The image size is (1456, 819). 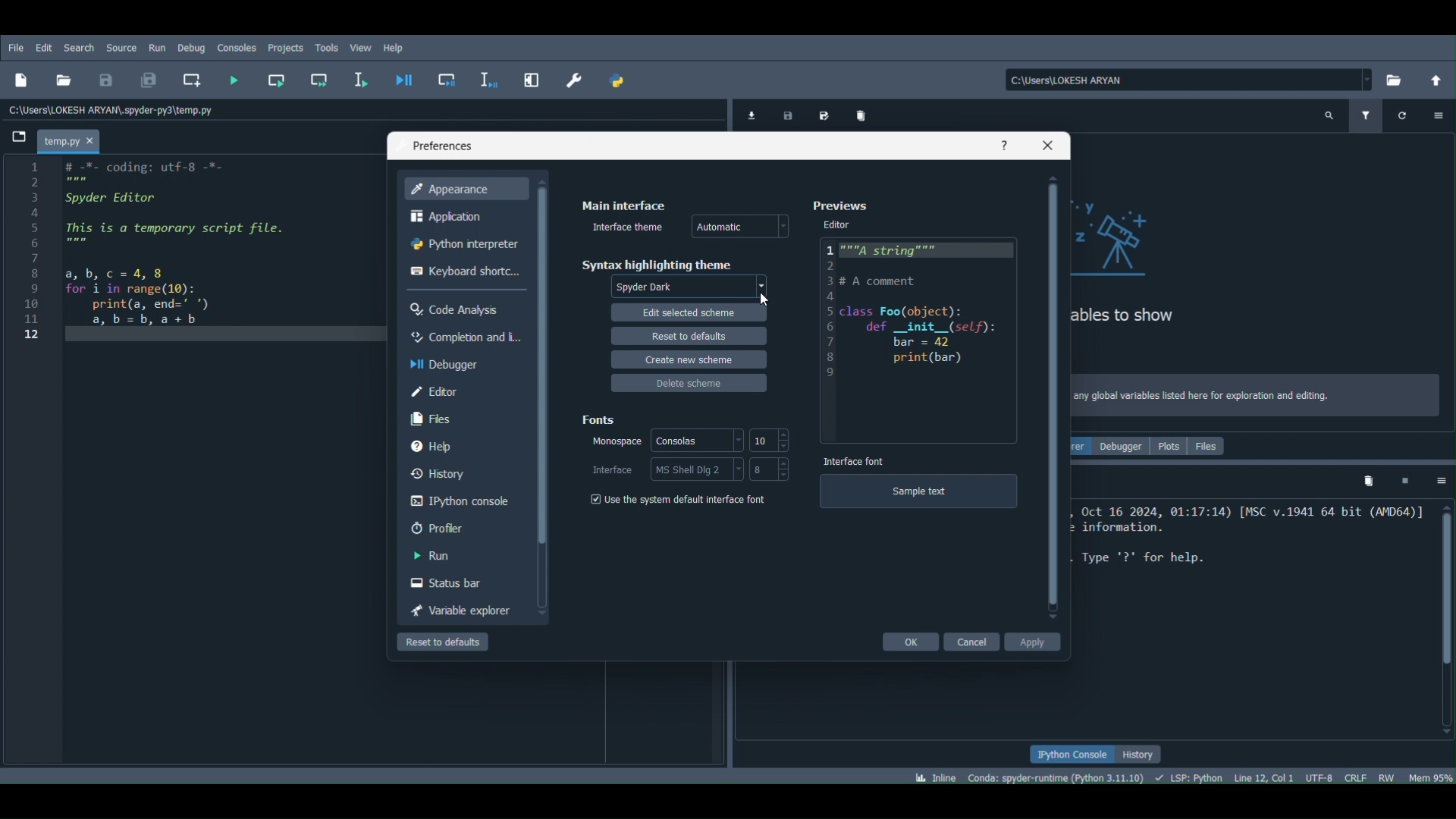 What do you see at coordinates (392, 48) in the screenshot?
I see `Help` at bounding box center [392, 48].